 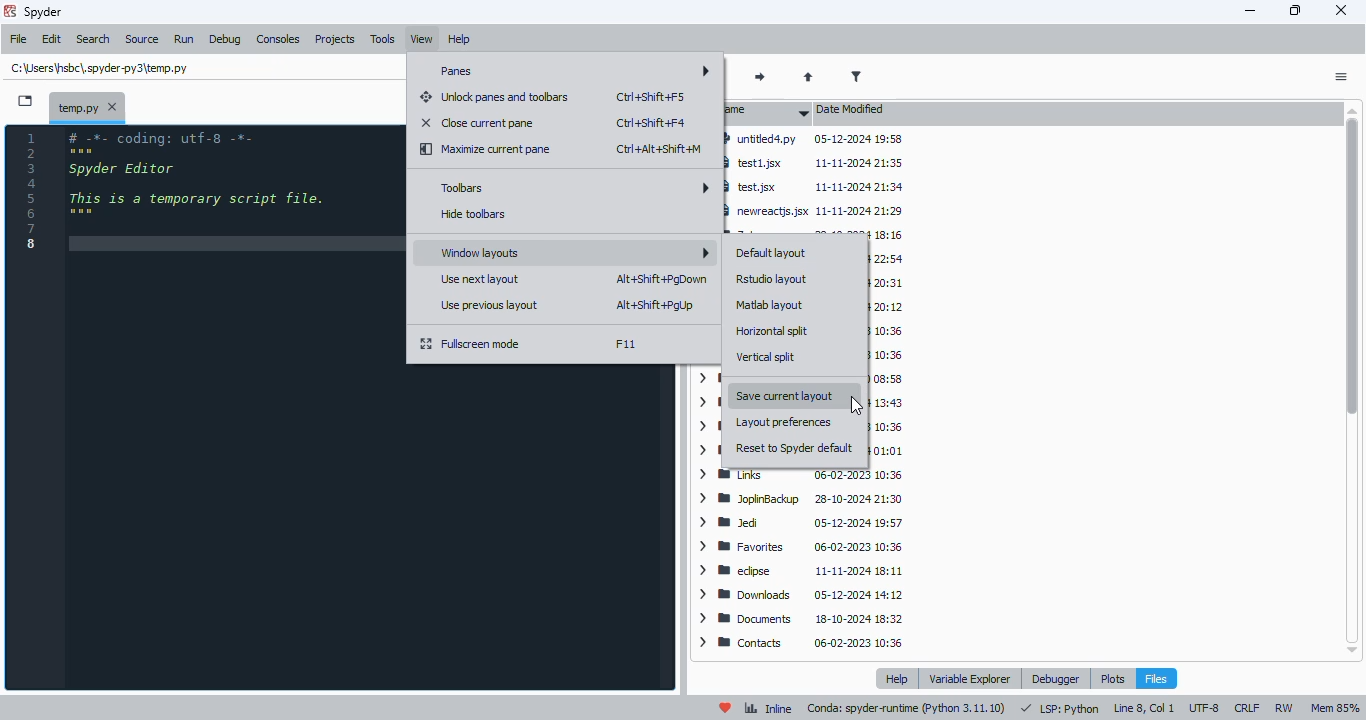 I want to click on Mem 85%, so click(x=1337, y=708).